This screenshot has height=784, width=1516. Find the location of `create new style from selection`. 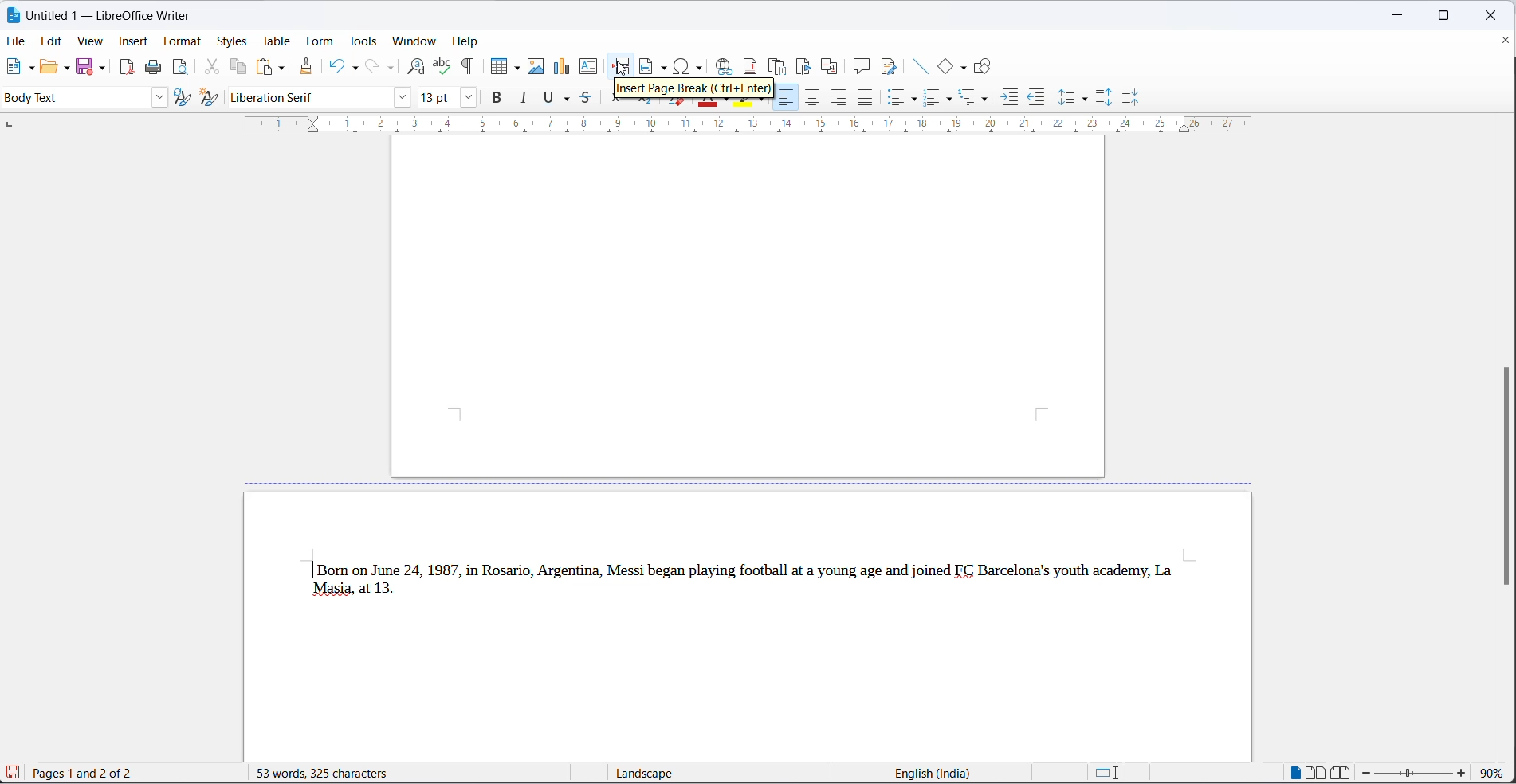

create new style from selection is located at coordinates (211, 98).